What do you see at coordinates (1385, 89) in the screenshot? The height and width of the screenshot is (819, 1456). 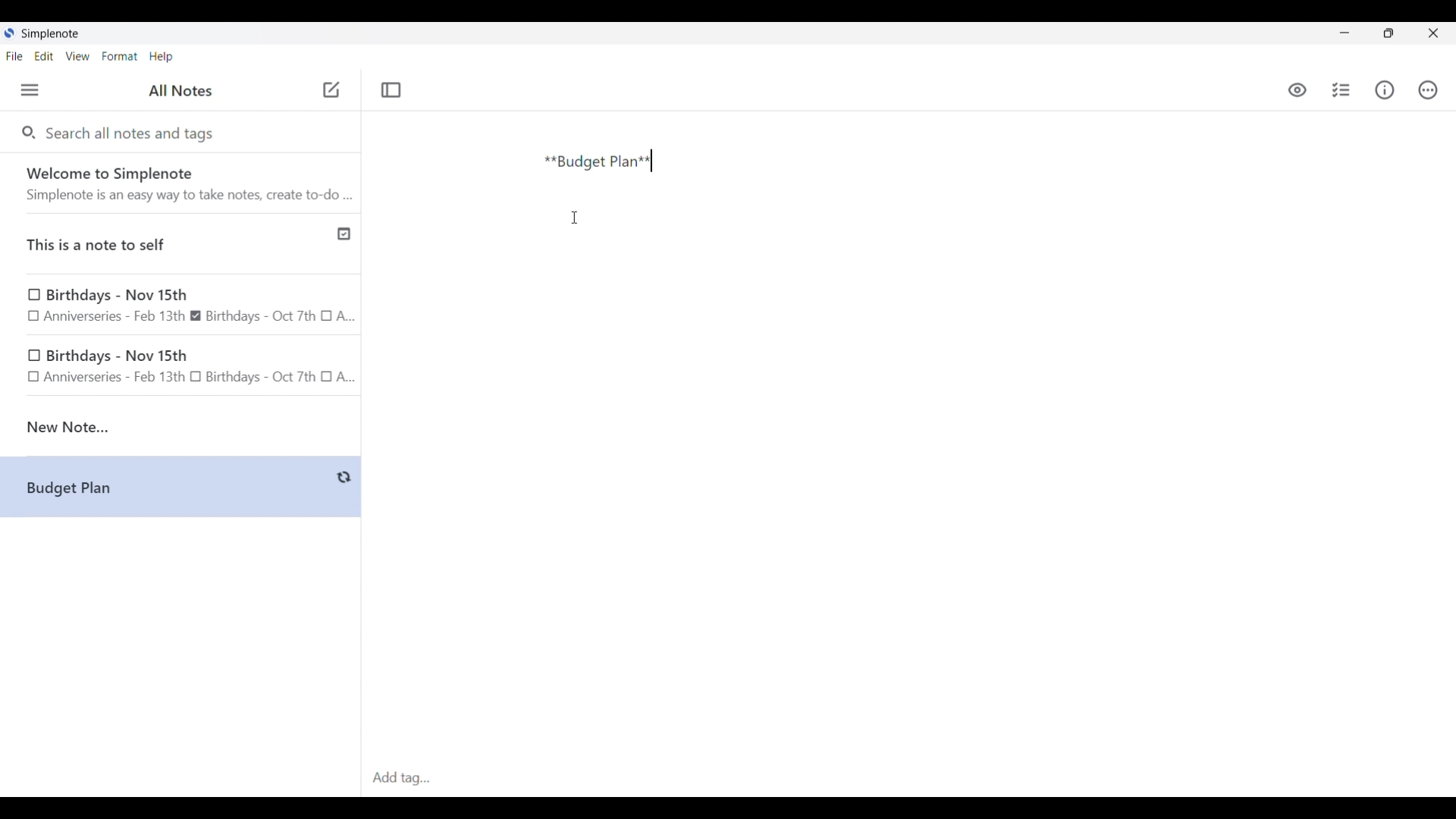 I see `Info` at bounding box center [1385, 89].